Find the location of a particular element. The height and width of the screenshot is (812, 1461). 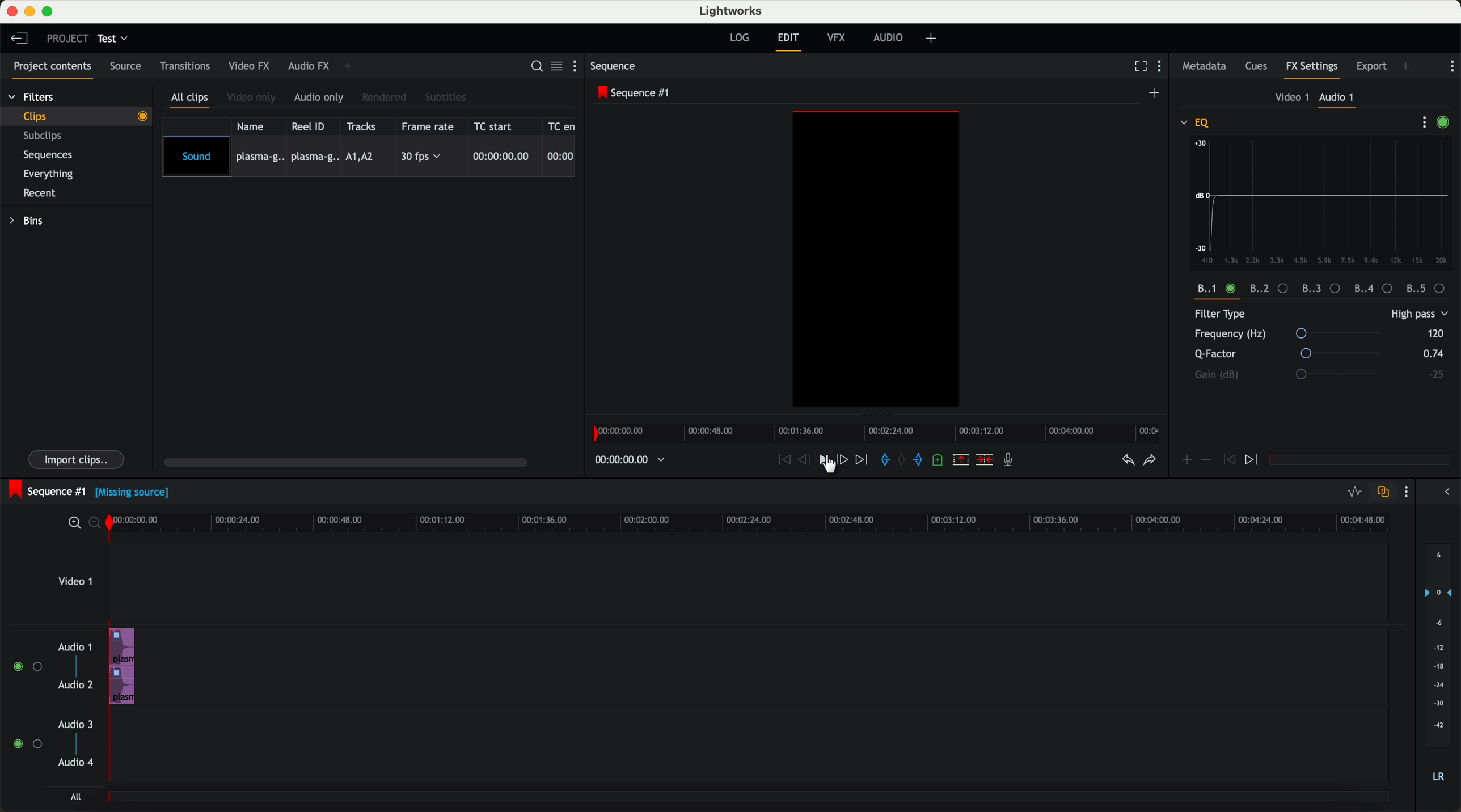

(Missing source) is located at coordinates (135, 494).